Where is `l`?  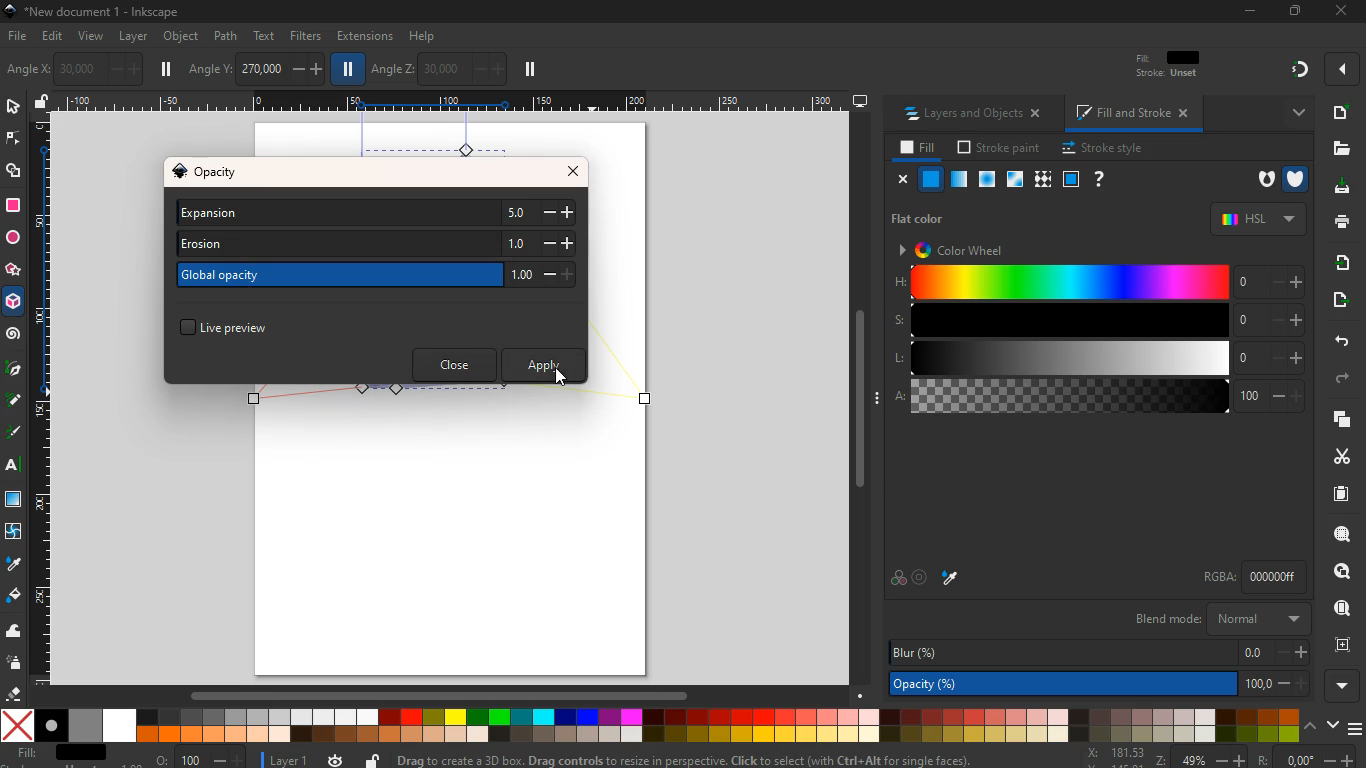
l is located at coordinates (1096, 359).